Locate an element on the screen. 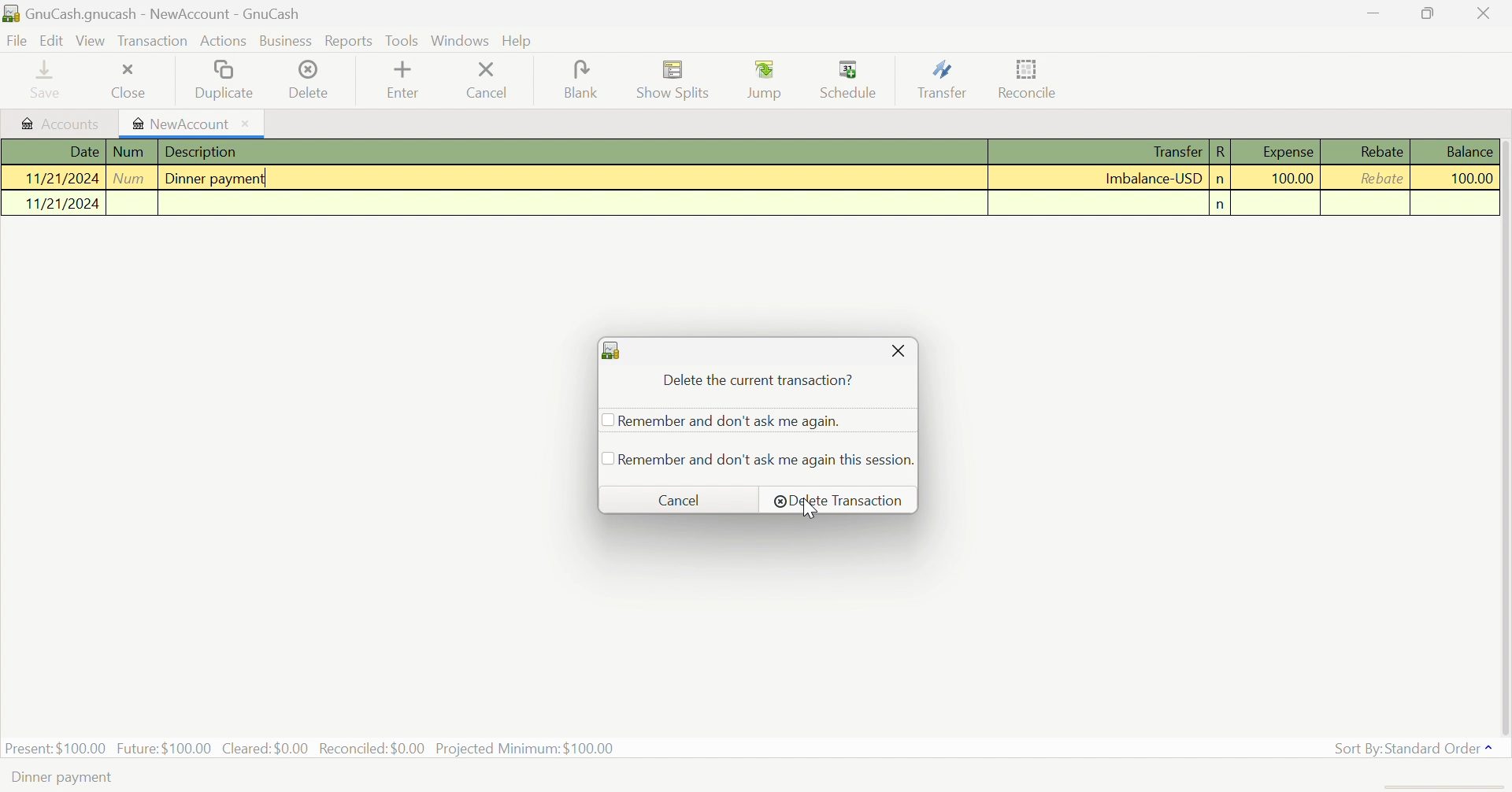 This screenshot has height=792, width=1512. Transaction is located at coordinates (152, 44).